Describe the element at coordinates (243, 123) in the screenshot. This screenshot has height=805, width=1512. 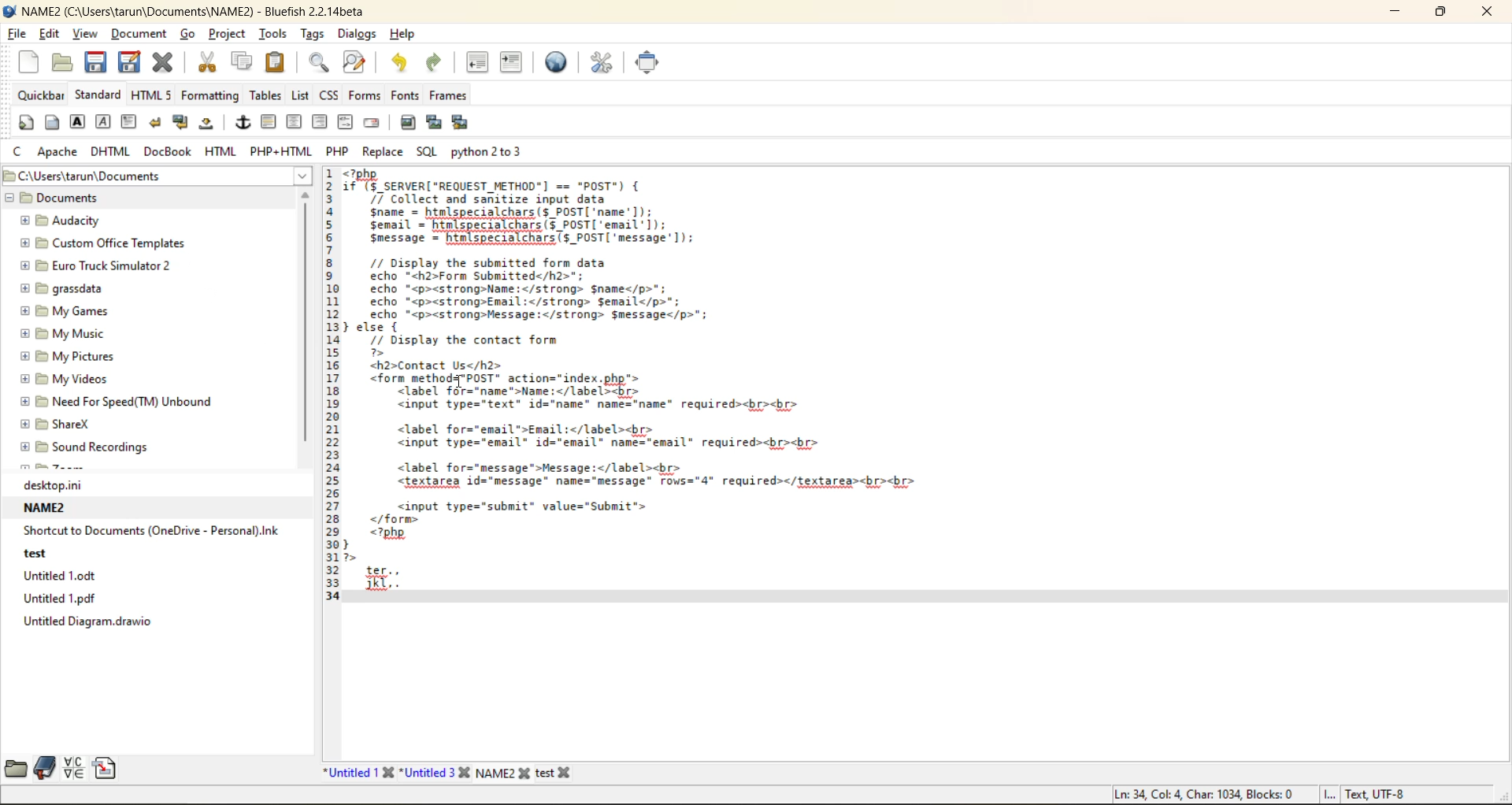
I see `anchor` at that location.